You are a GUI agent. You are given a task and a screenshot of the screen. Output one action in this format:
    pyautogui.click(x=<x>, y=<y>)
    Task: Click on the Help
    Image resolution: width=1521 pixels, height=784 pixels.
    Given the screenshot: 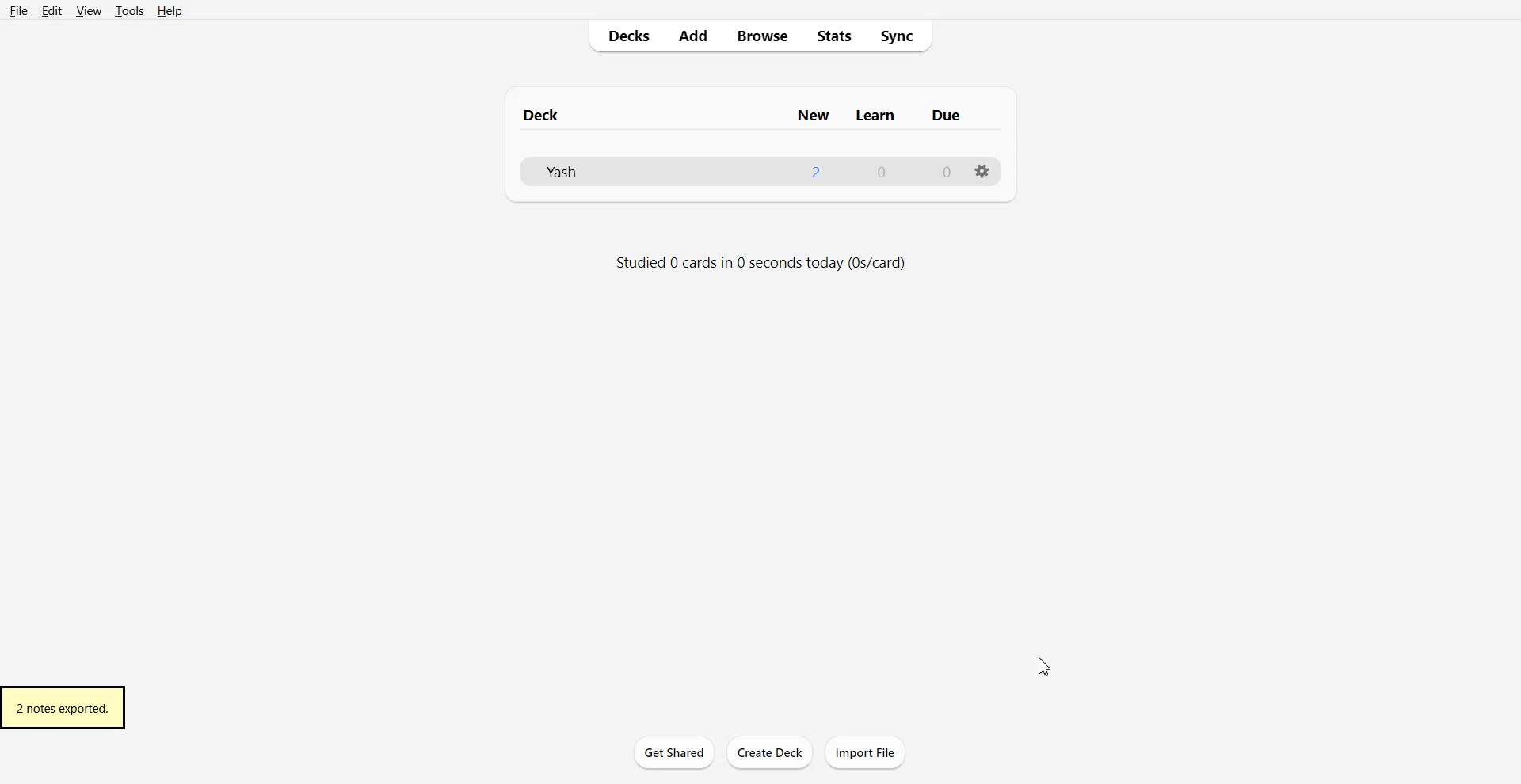 What is the action you would take?
    pyautogui.click(x=173, y=12)
    